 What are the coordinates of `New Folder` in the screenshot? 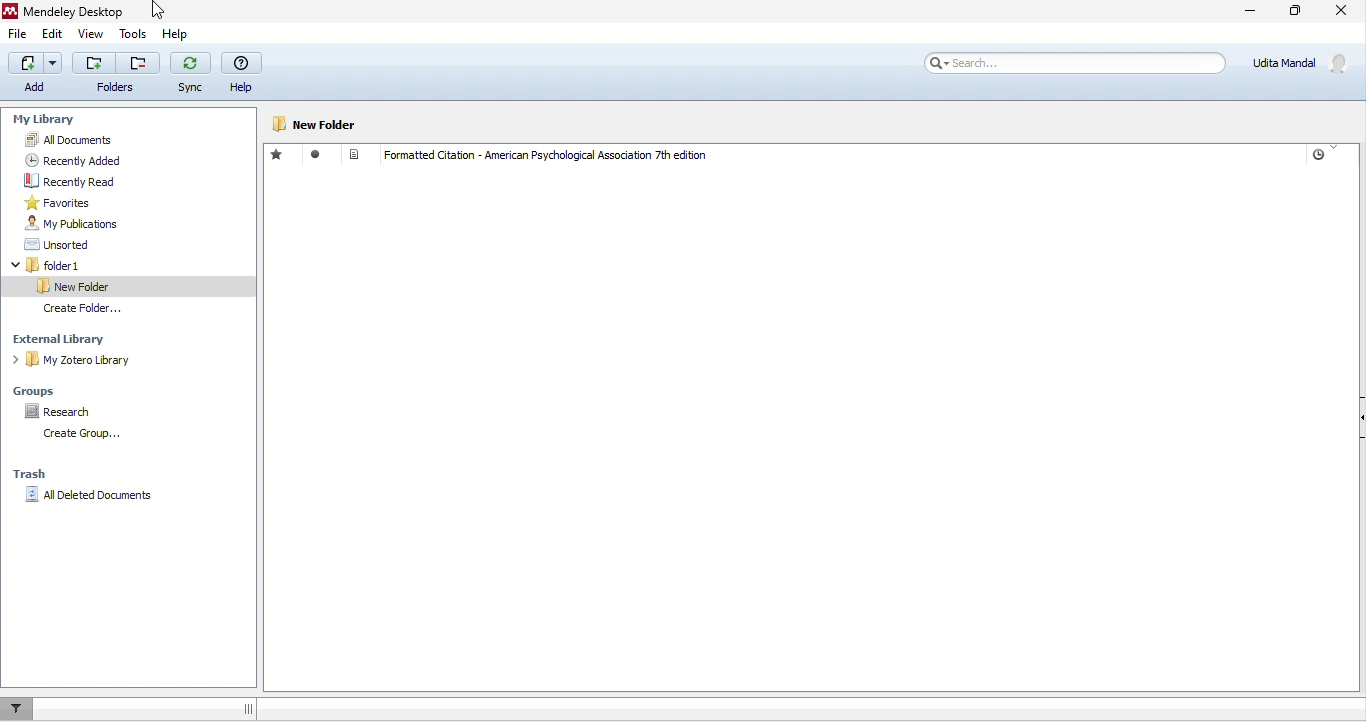 It's located at (130, 287).